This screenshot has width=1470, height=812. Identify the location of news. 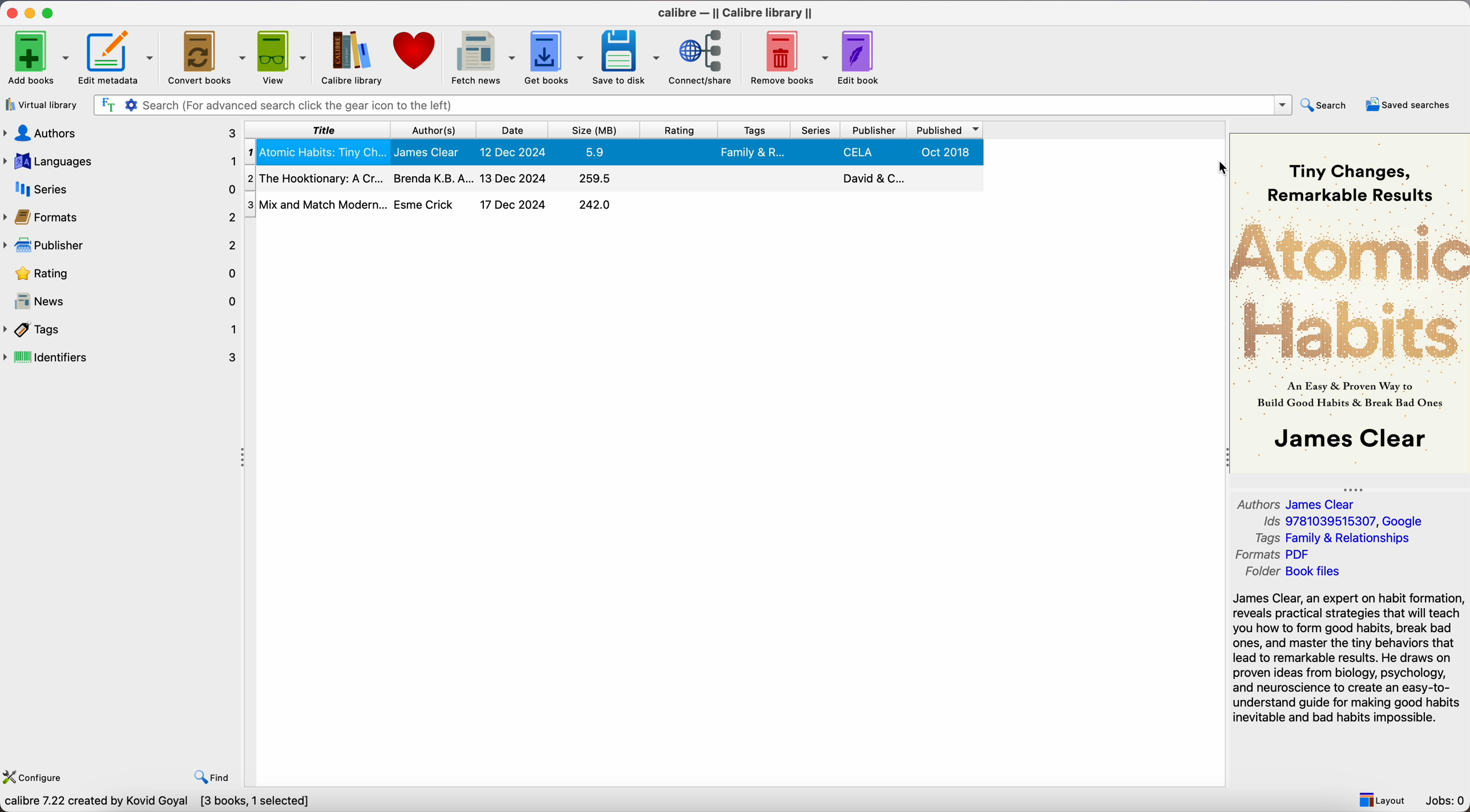
(124, 300).